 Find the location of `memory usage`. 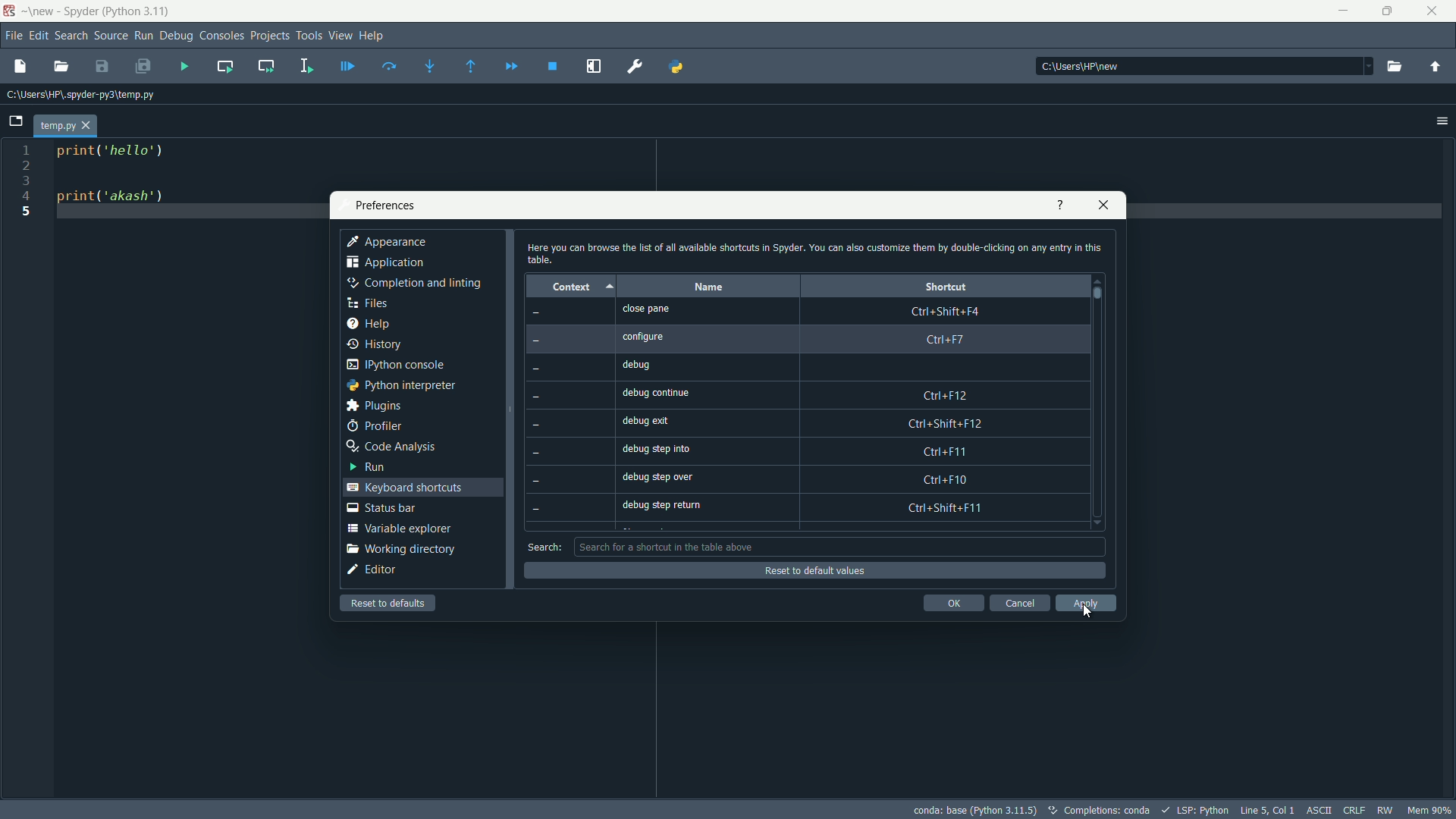

memory usage is located at coordinates (1430, 810).